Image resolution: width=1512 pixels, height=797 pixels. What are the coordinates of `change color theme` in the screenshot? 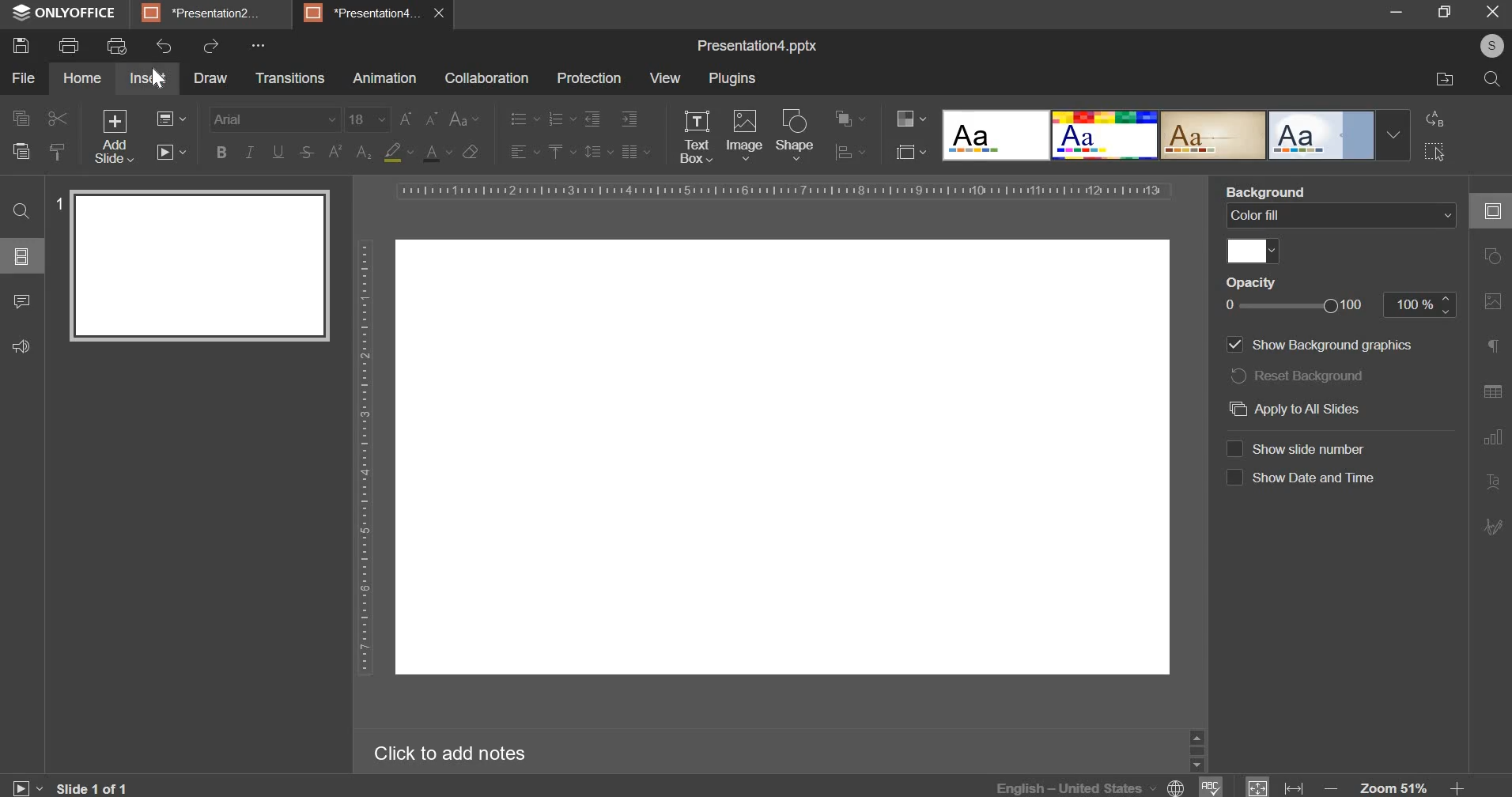 It's located at (910, 119).